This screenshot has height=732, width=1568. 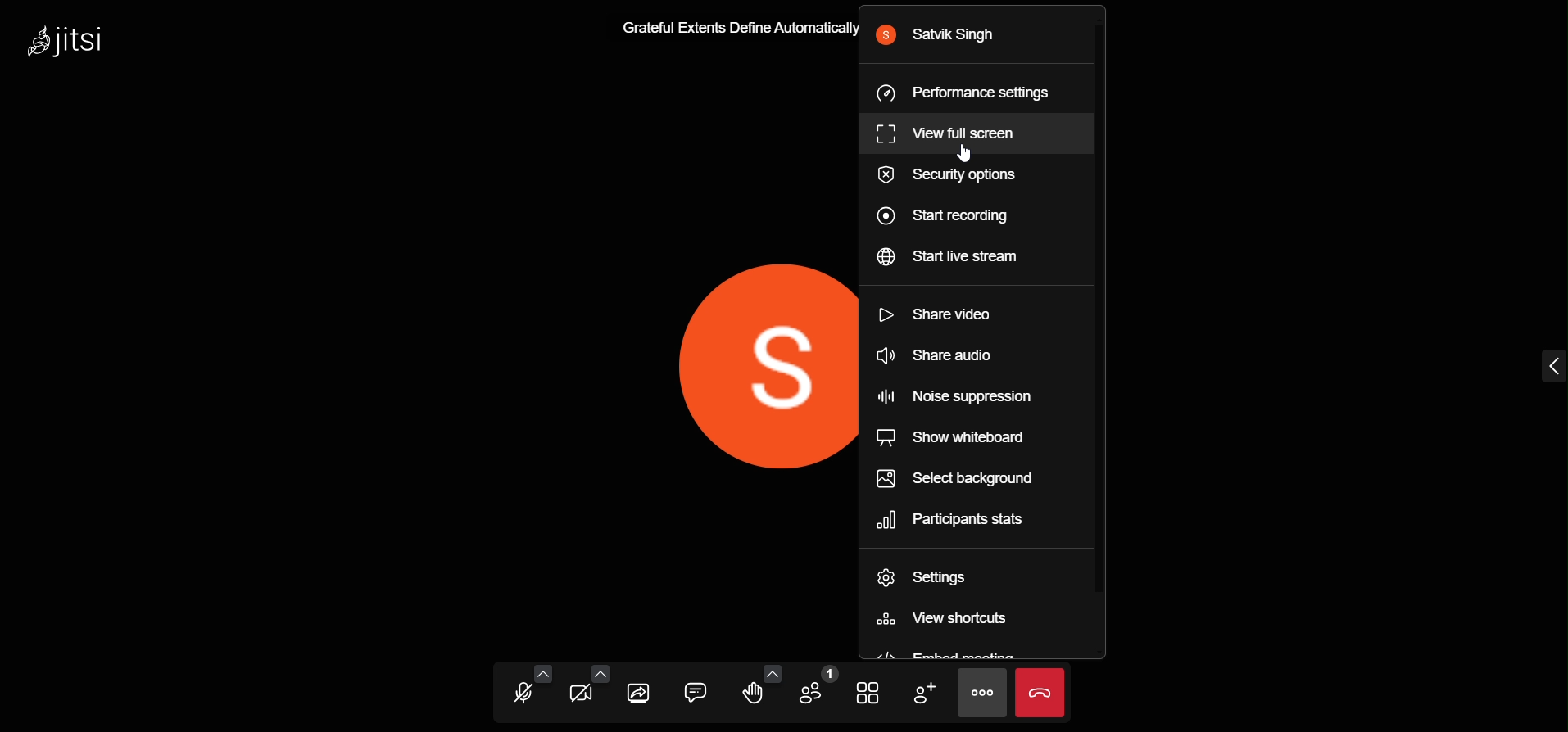 I want to click on share audio, so click(x=938, y=352).